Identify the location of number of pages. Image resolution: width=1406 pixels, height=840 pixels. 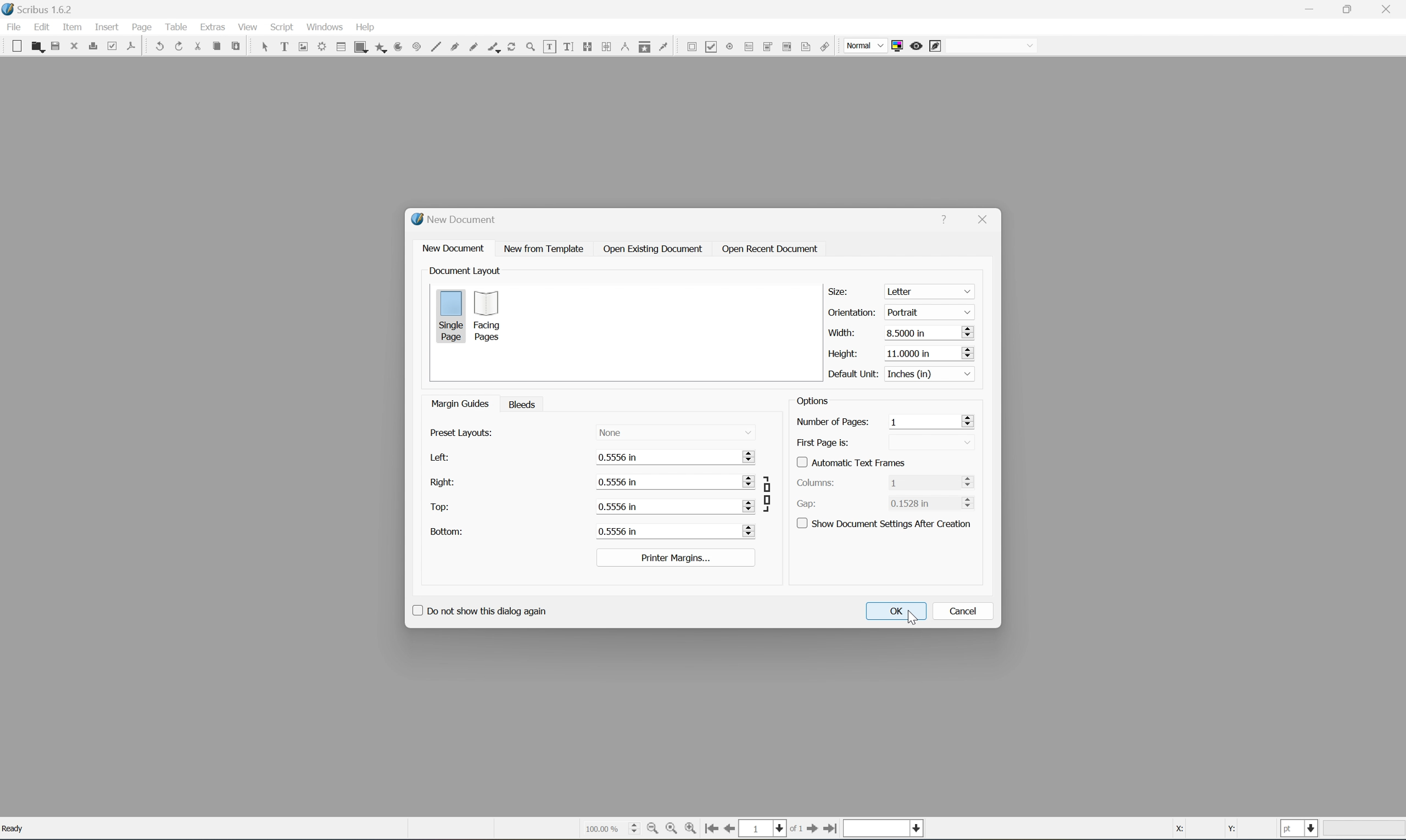
(832, 422).